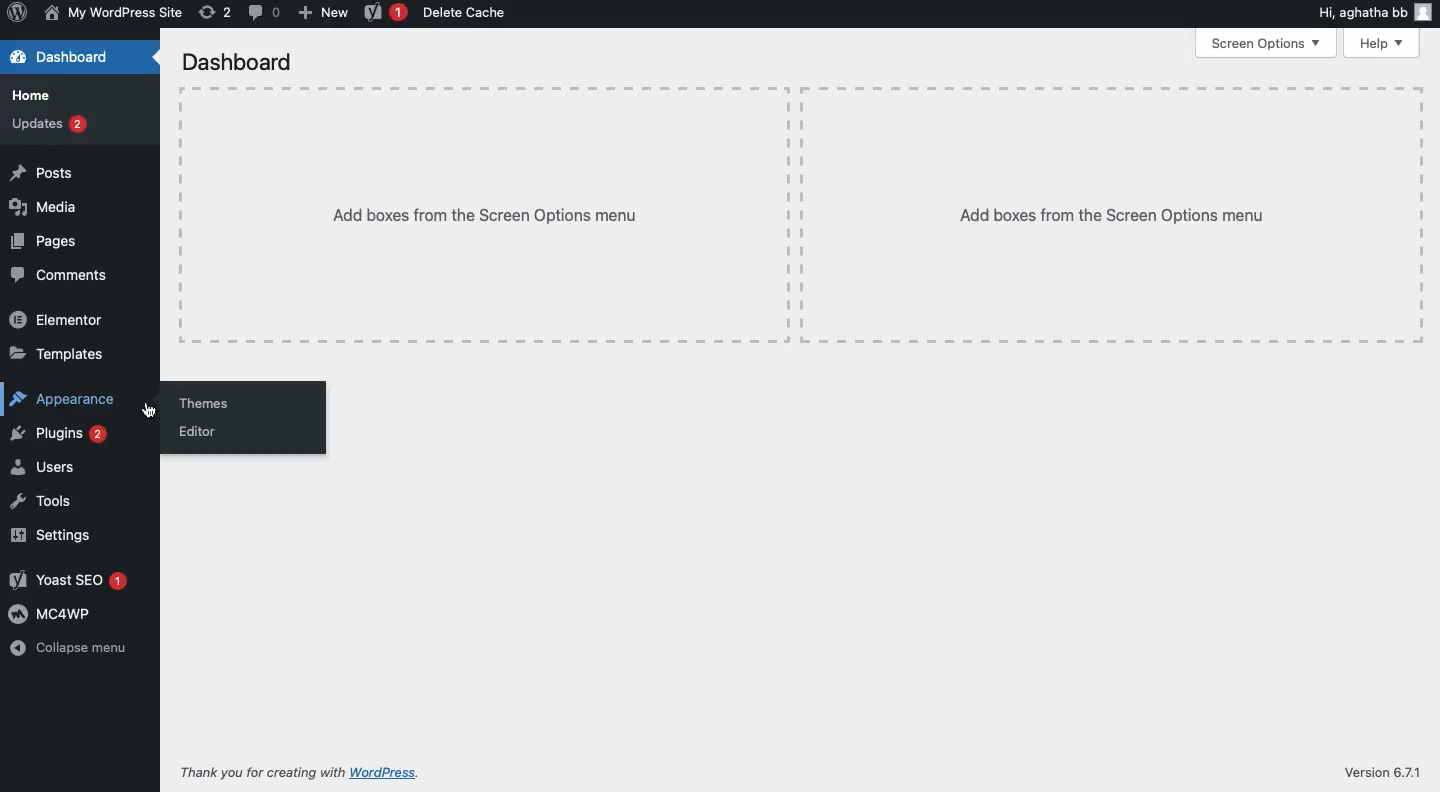 The width and height of the screenshot is (1440, 792). I want to click on Revision, so click(217, 11).